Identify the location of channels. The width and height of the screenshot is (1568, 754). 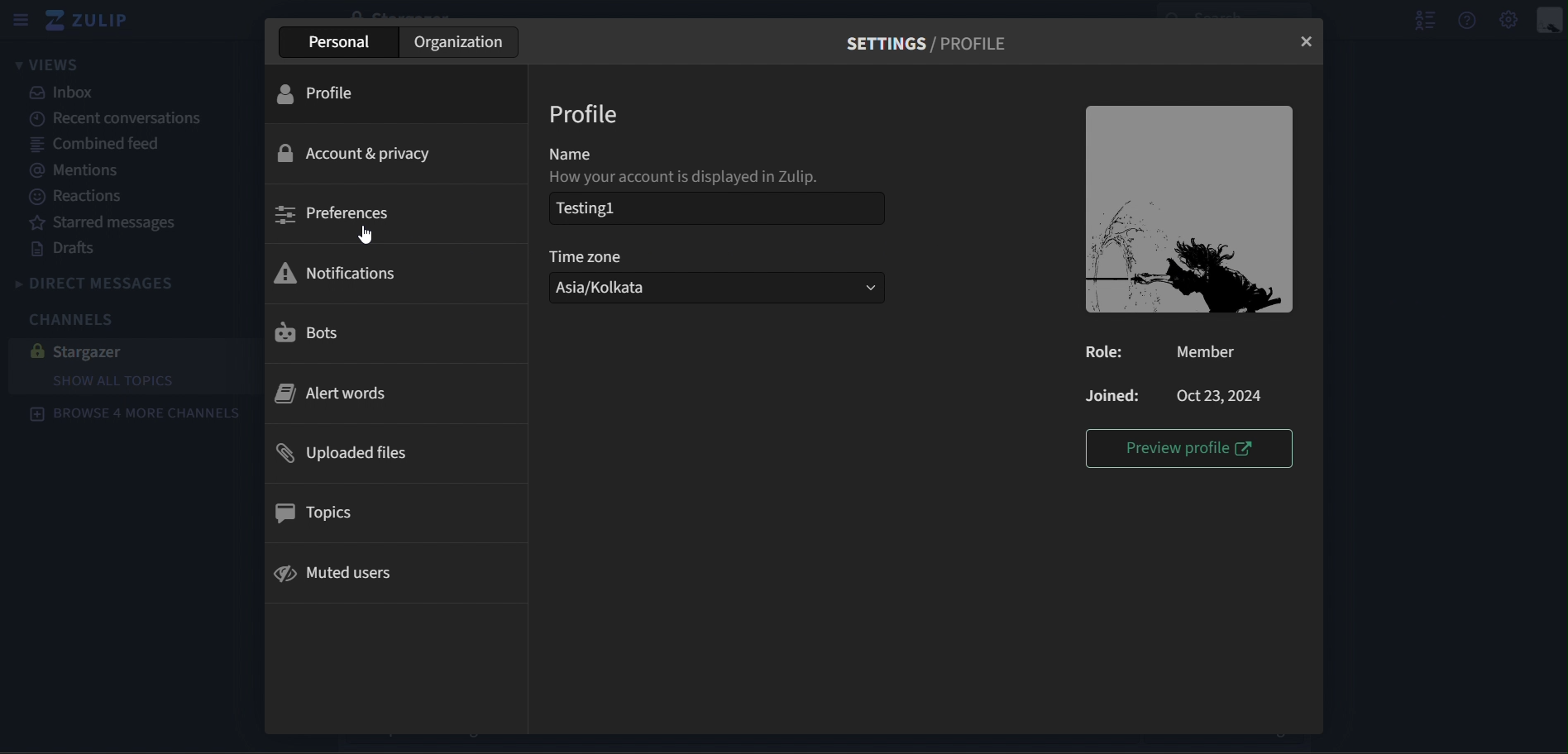
(79, 319).